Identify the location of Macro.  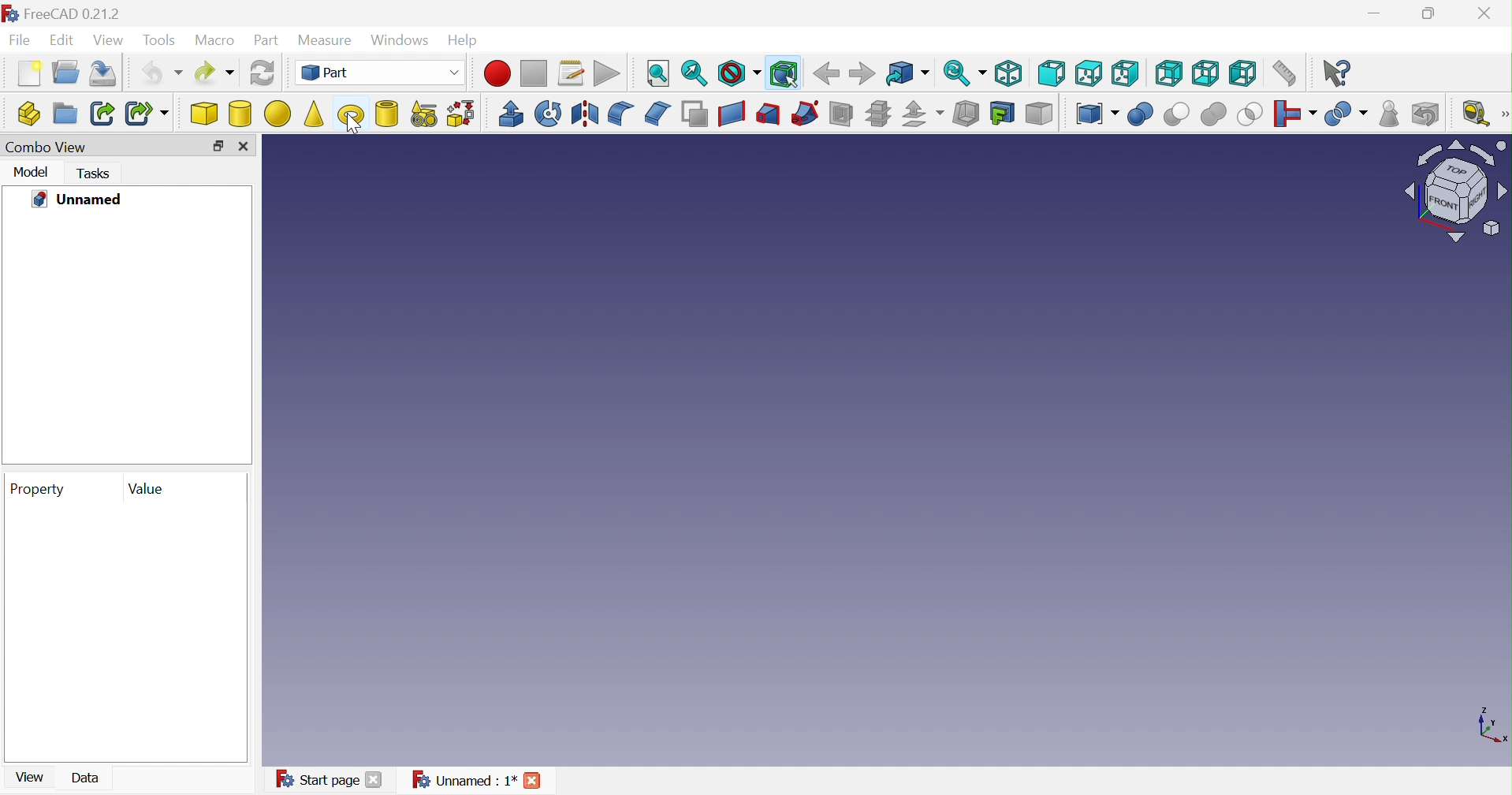
(214, 40).